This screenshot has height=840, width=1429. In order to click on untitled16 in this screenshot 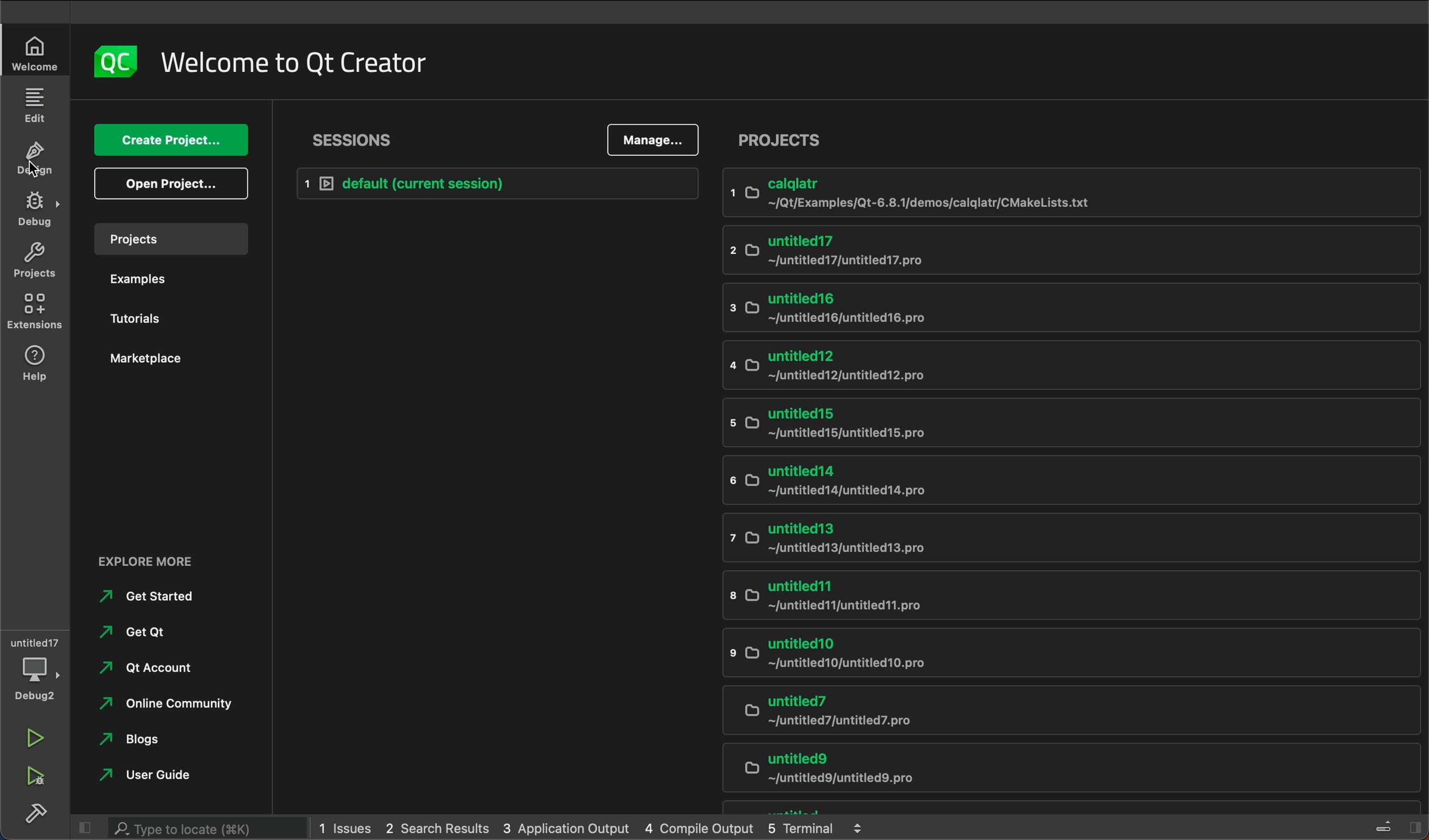, I will do `click(1059, 309)`.